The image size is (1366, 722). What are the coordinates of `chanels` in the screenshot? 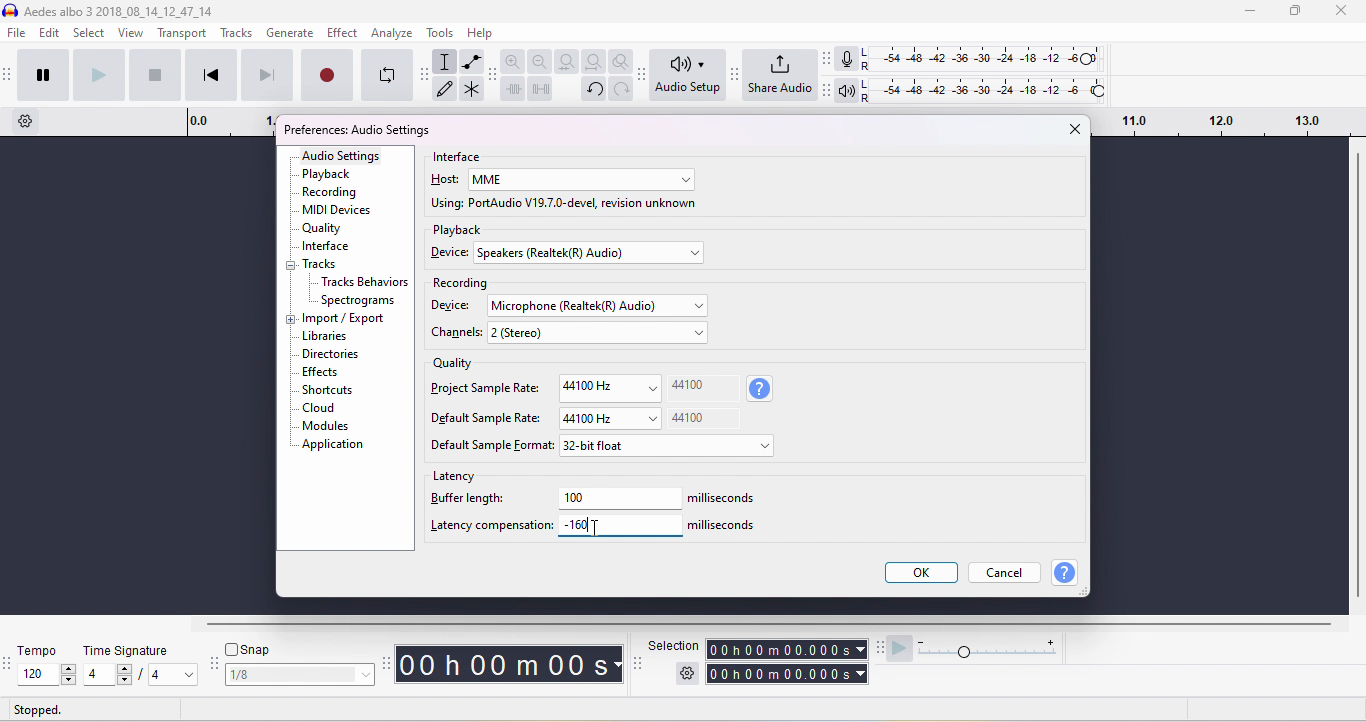 It's located at (459, 333).